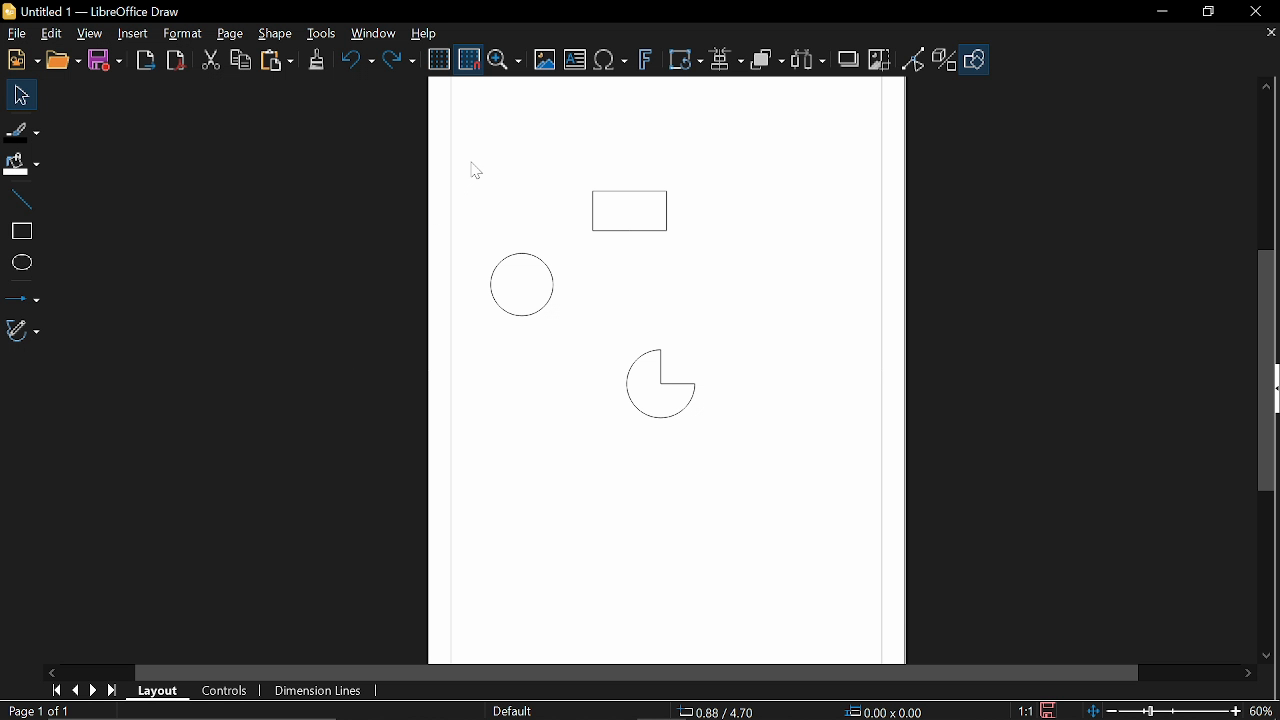 This screenshot has width=1280, height=720. Describe the element at coordinates (54, 691) in the screenshot. I see `First page` at that location.